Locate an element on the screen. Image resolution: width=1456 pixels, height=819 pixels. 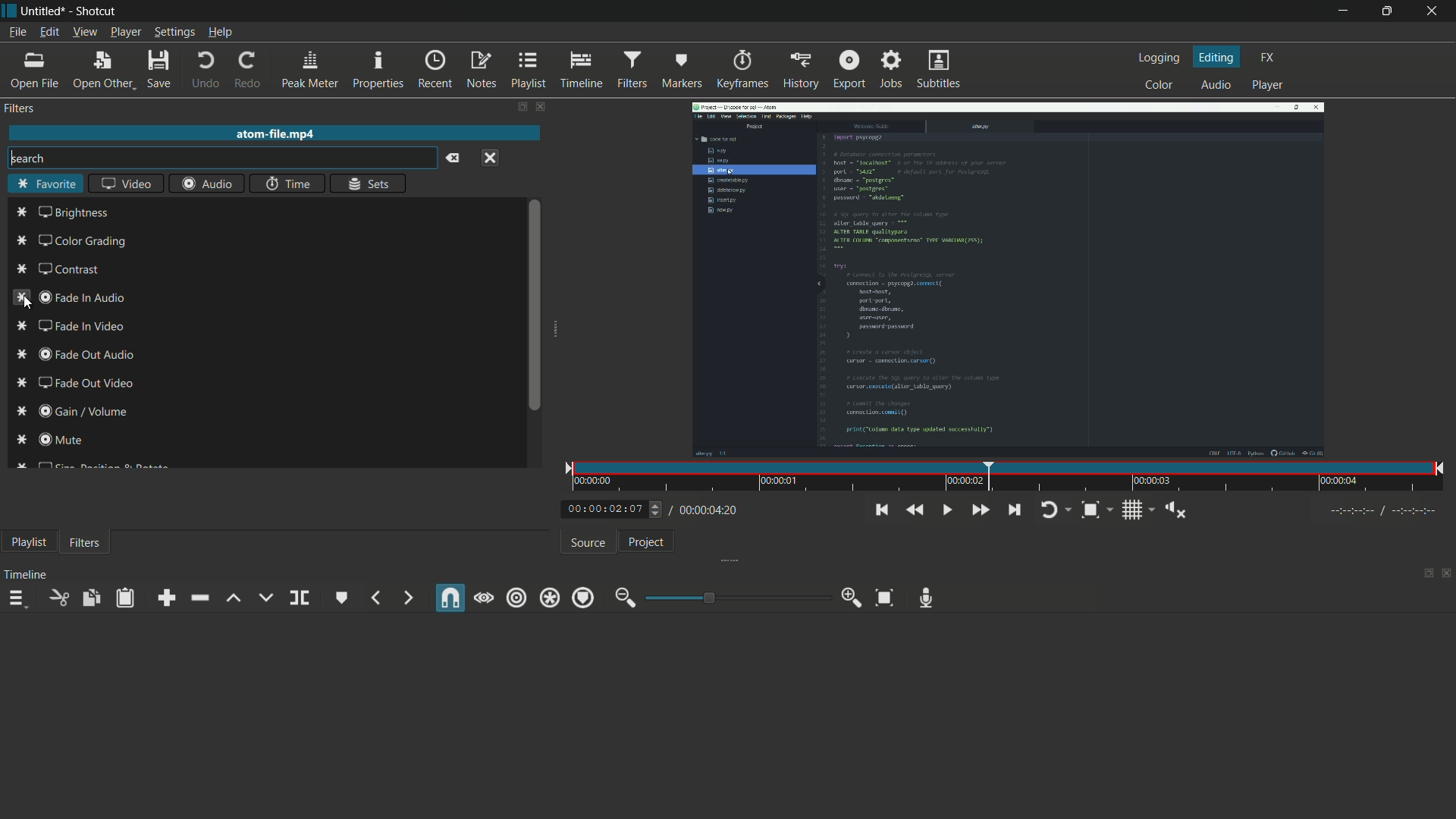
adjustment bar is located at coordinates (735, 597).